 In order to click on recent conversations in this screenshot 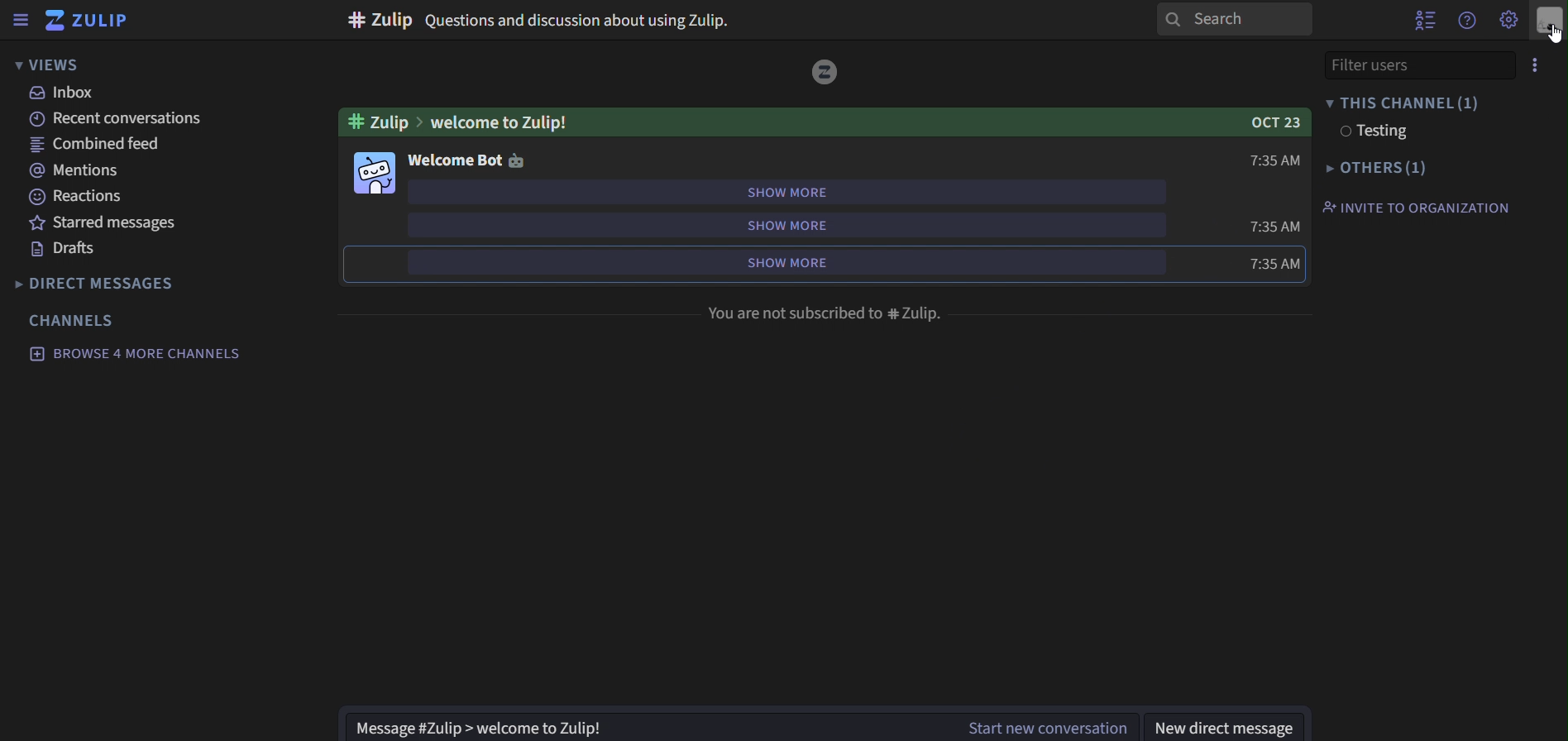, I will do `click(128, 117)`.